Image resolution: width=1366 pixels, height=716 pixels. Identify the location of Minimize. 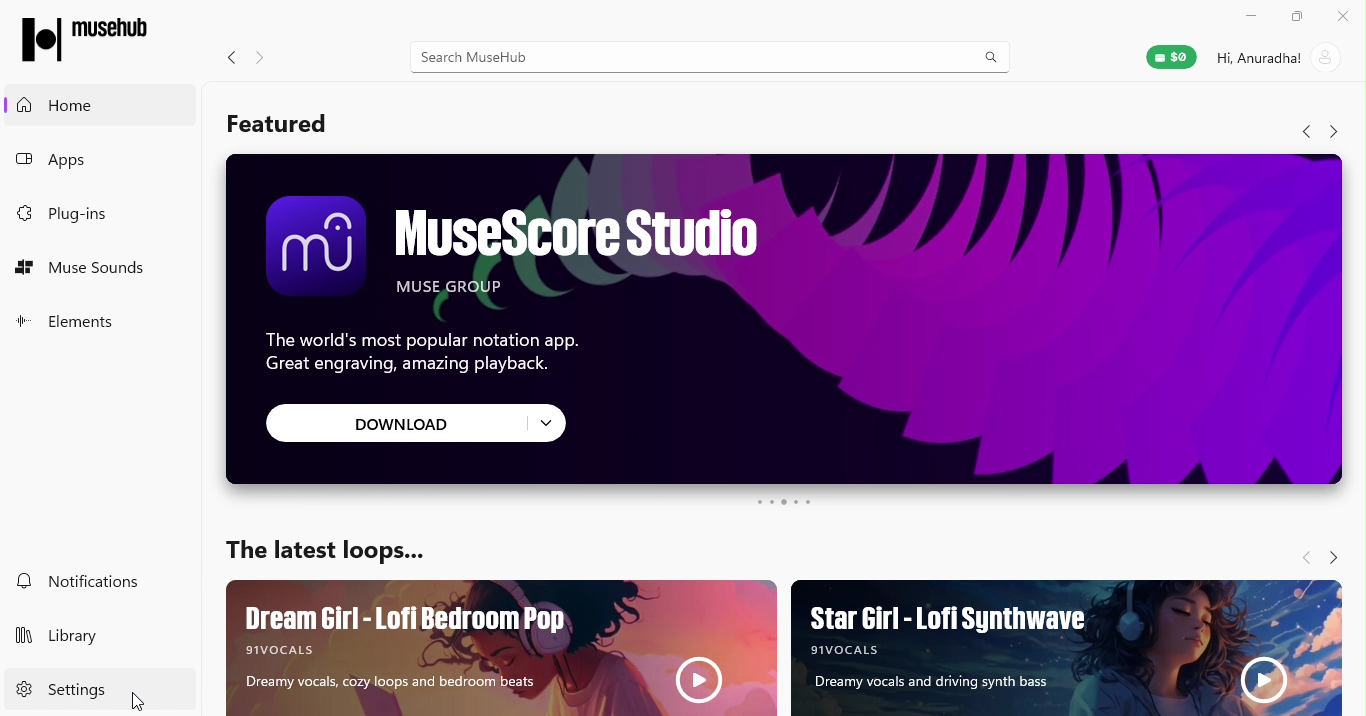
(1245, 18).